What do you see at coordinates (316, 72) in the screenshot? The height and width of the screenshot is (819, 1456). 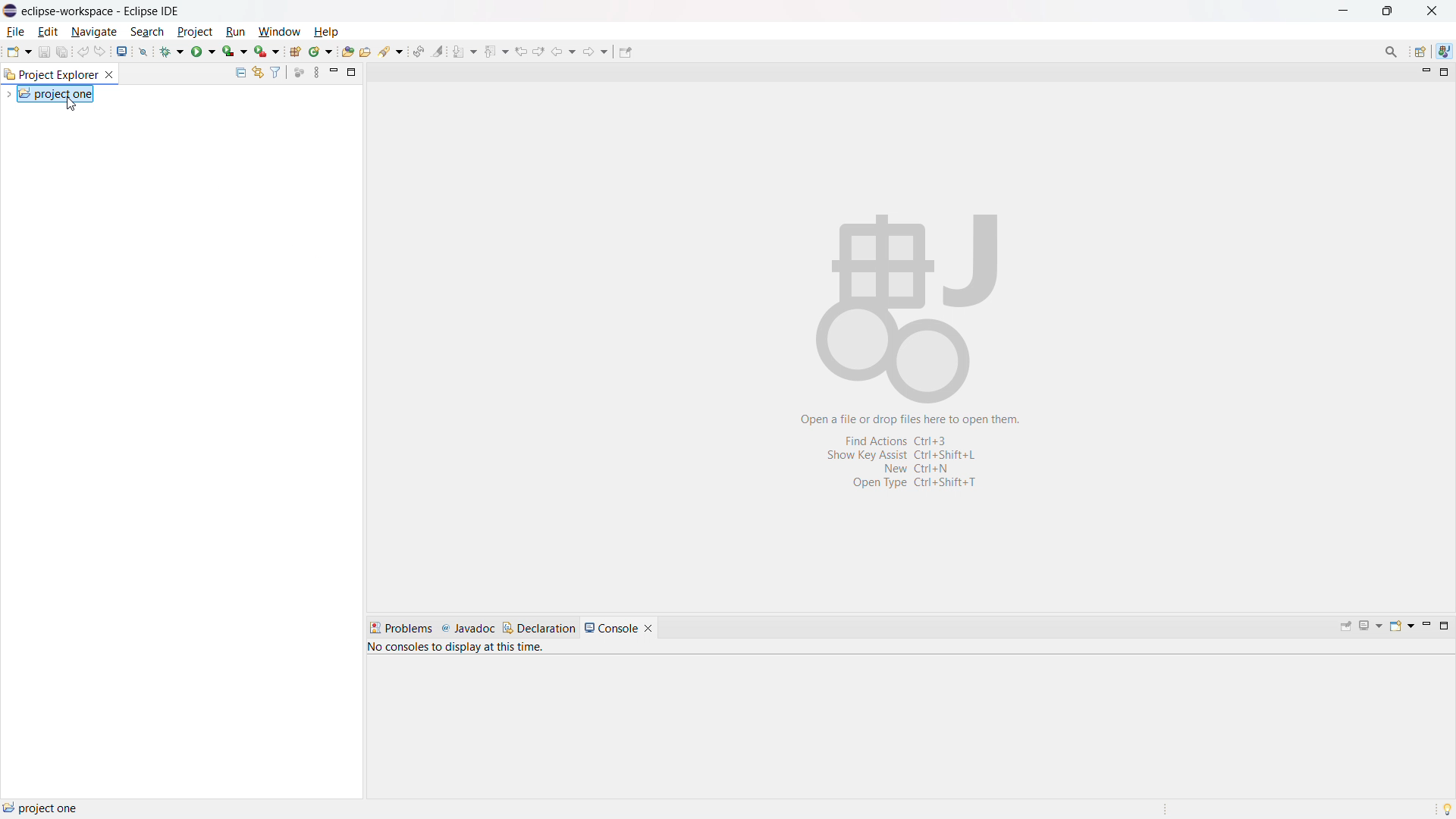 I see `view menu` at bounding box center [316, 72].